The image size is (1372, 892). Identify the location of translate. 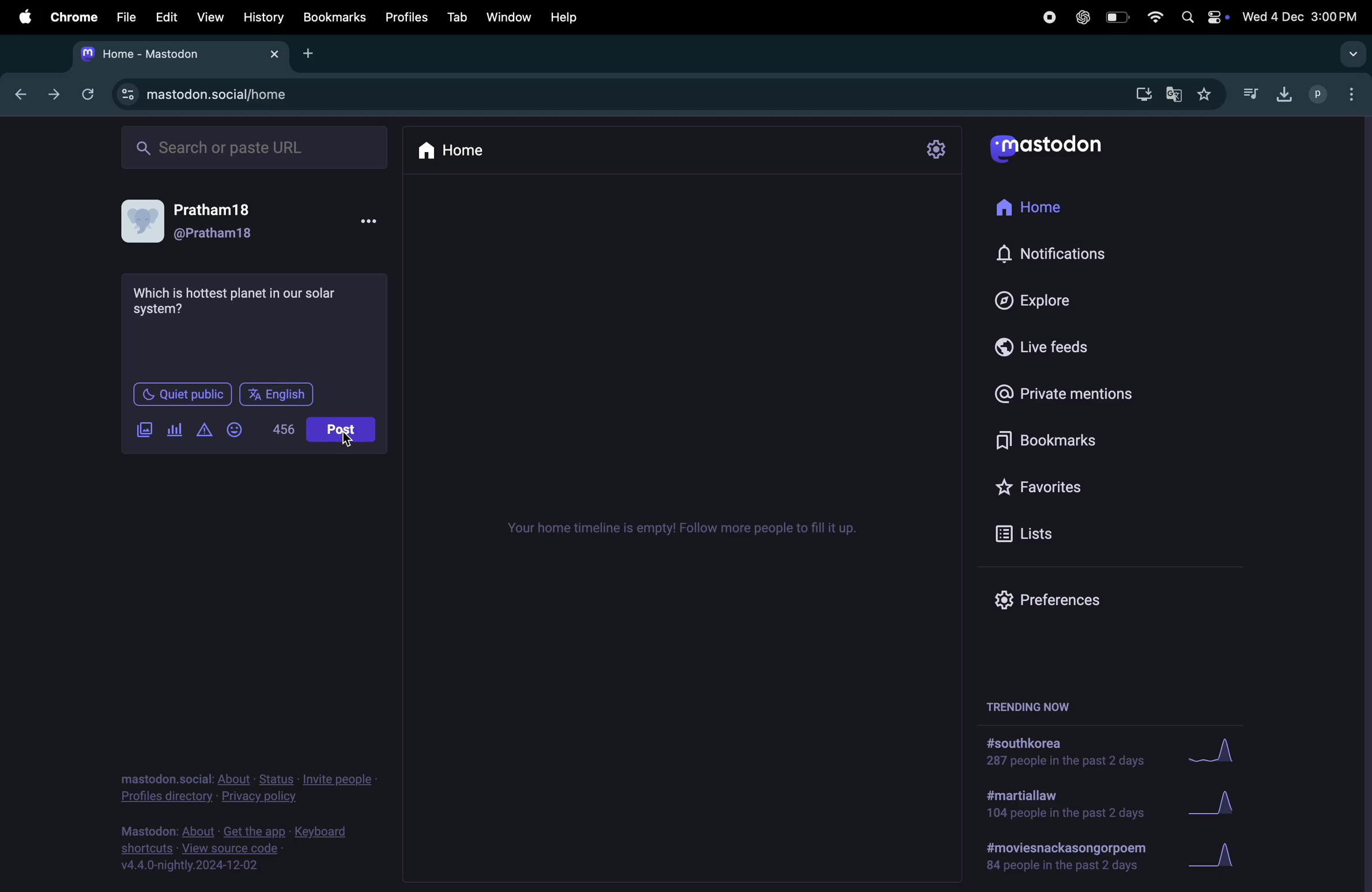
(1173, 93).